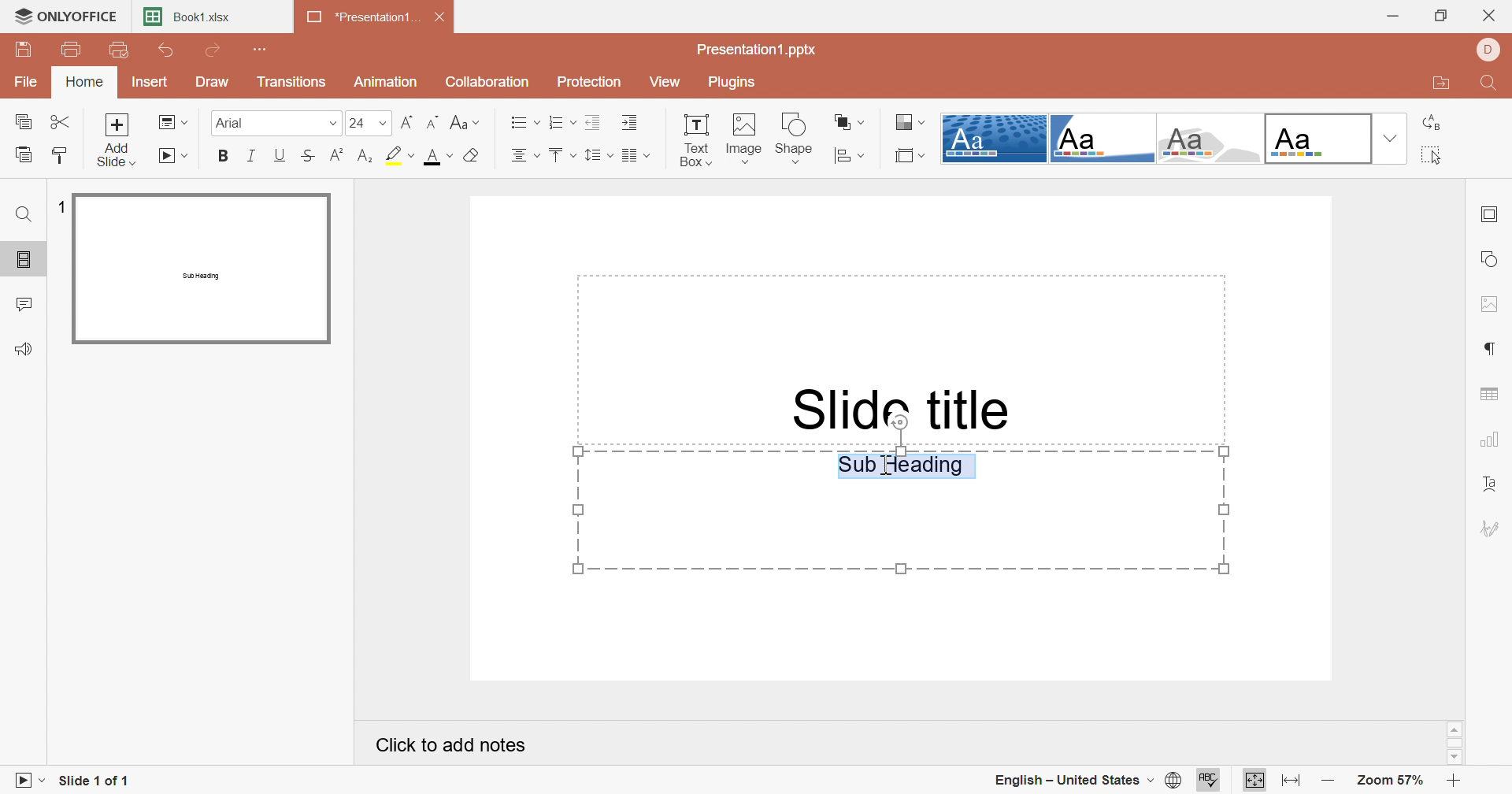 This screenshot has width=1512, height=794. I want to click on Table settings, so click(1491, 394).